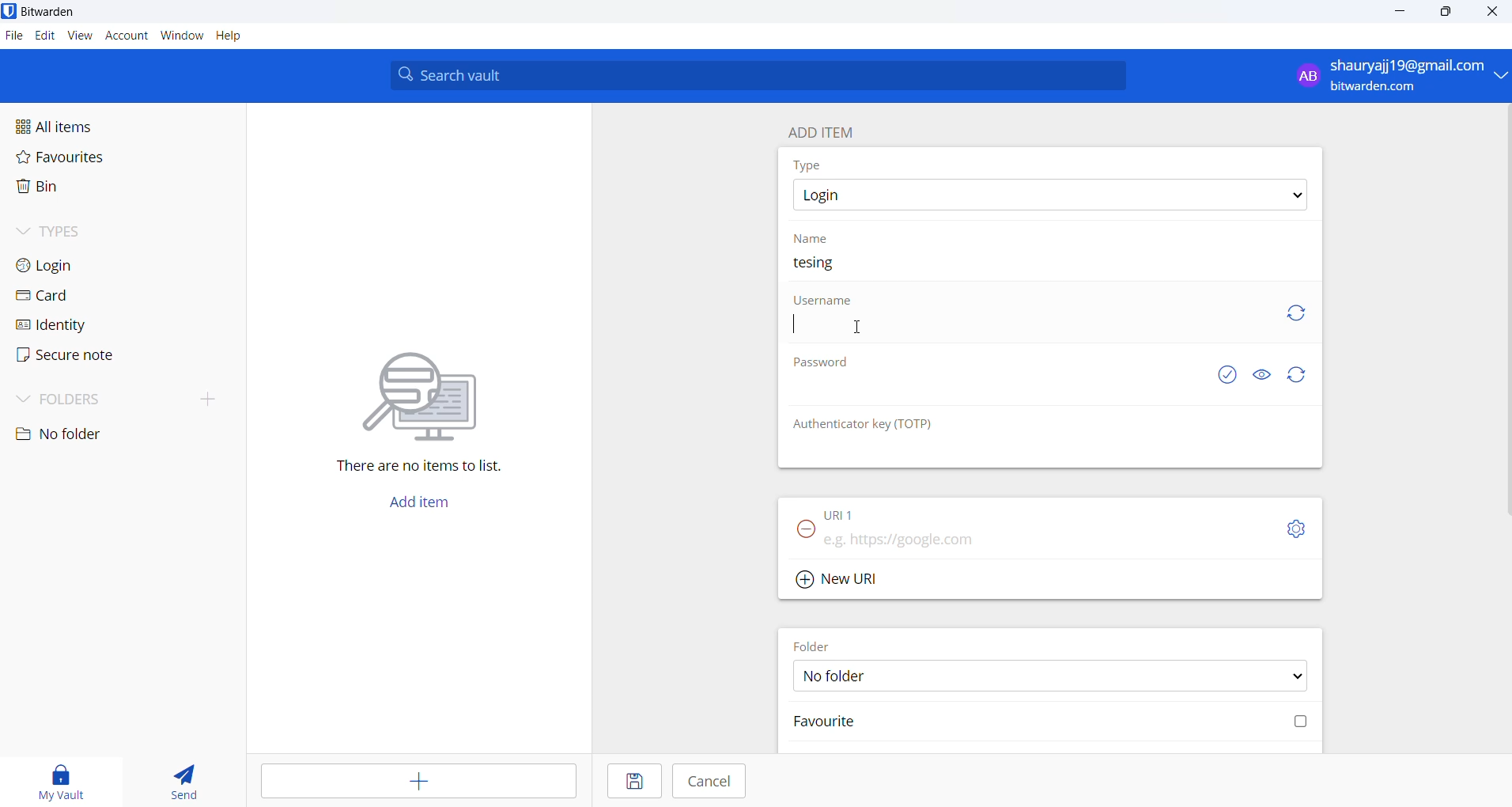 The height and width of the screenshot is (807, 1512). What do you see at coordinates (96, 161) in the screenshot?
I see `Favorites` at bounding box center [96, 161].